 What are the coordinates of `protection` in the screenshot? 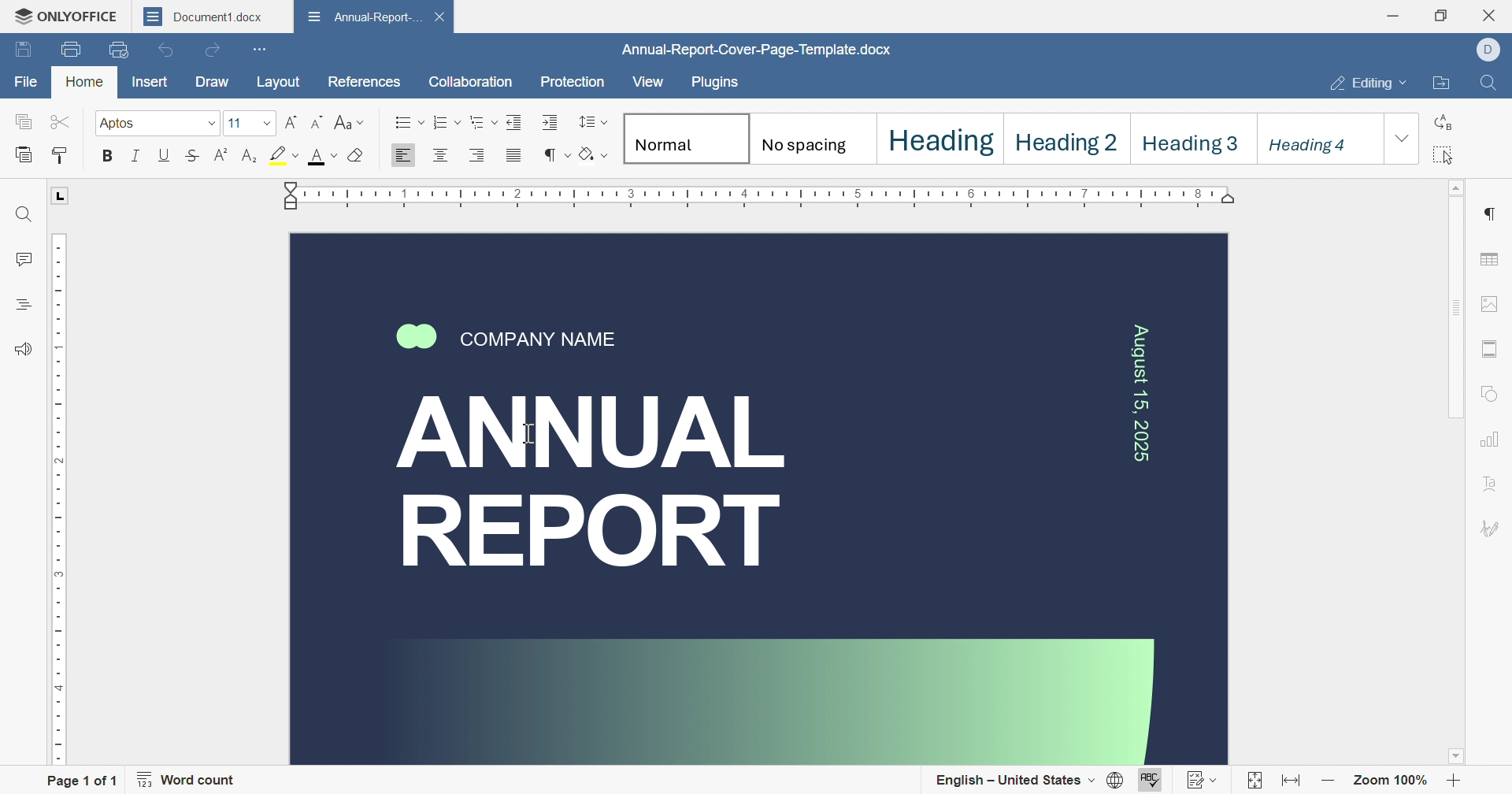 It's located at (571, 86).